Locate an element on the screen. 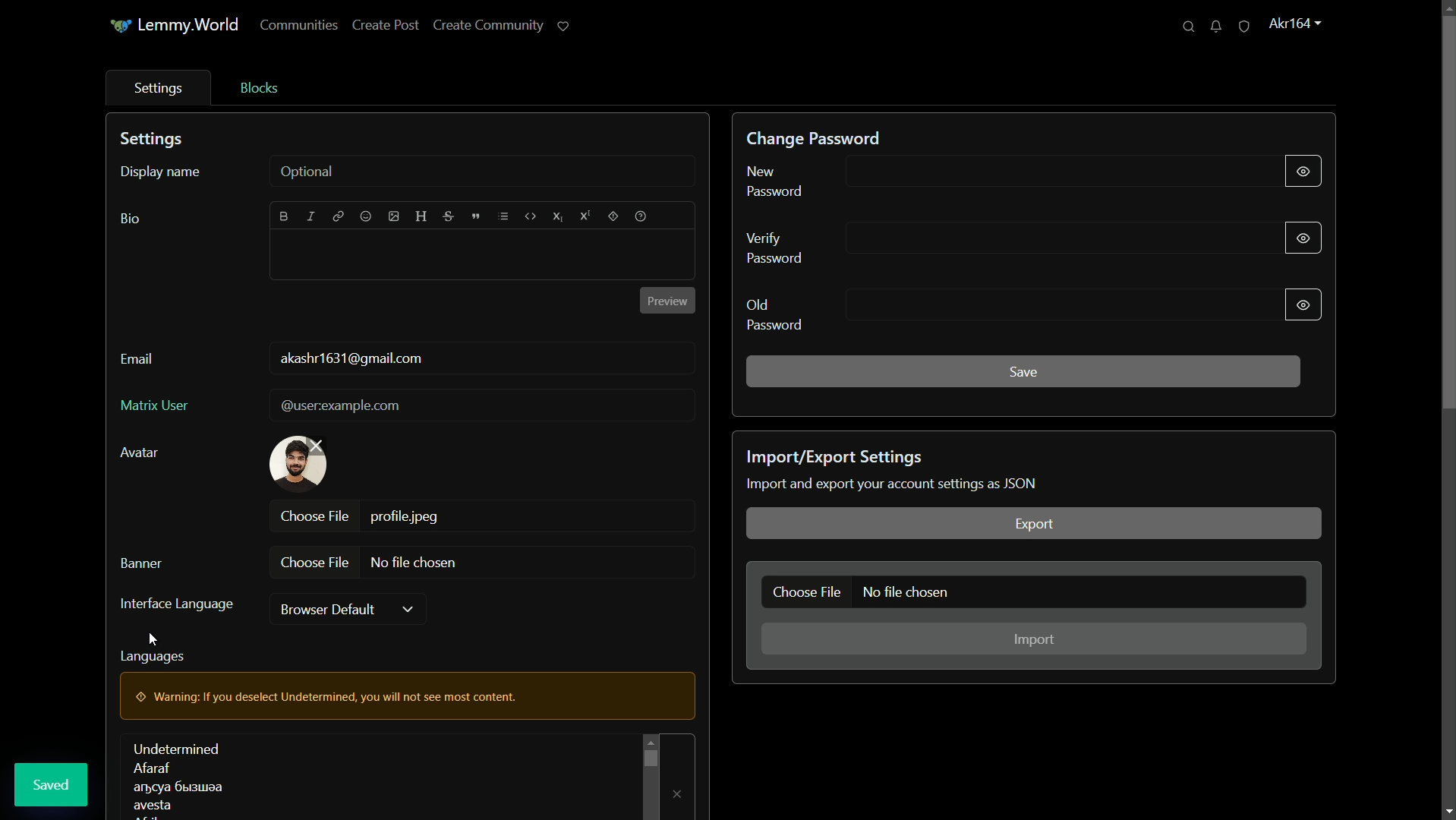  communities is located at coordinates (299, 27).